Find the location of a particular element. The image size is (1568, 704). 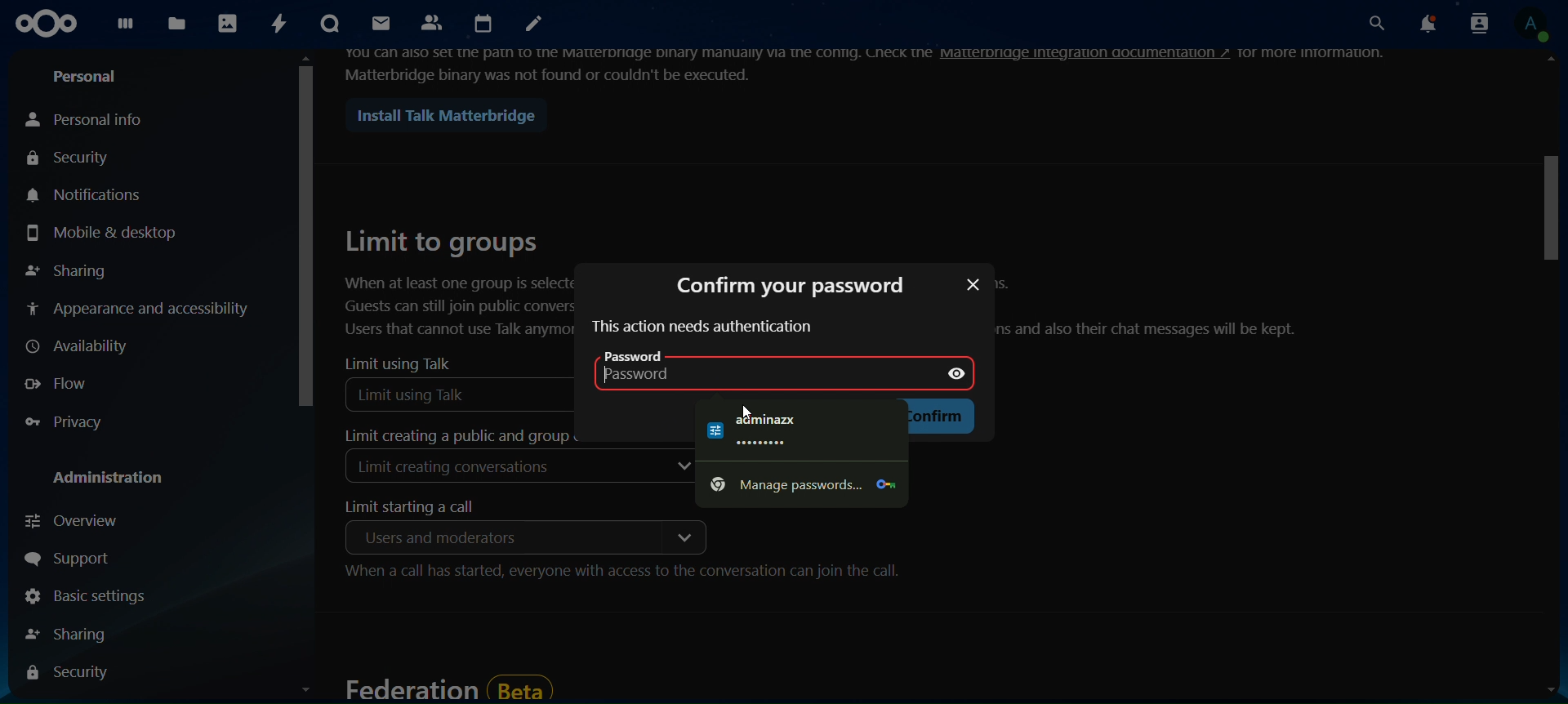

limit to groups is located at coordinates (457, 282).